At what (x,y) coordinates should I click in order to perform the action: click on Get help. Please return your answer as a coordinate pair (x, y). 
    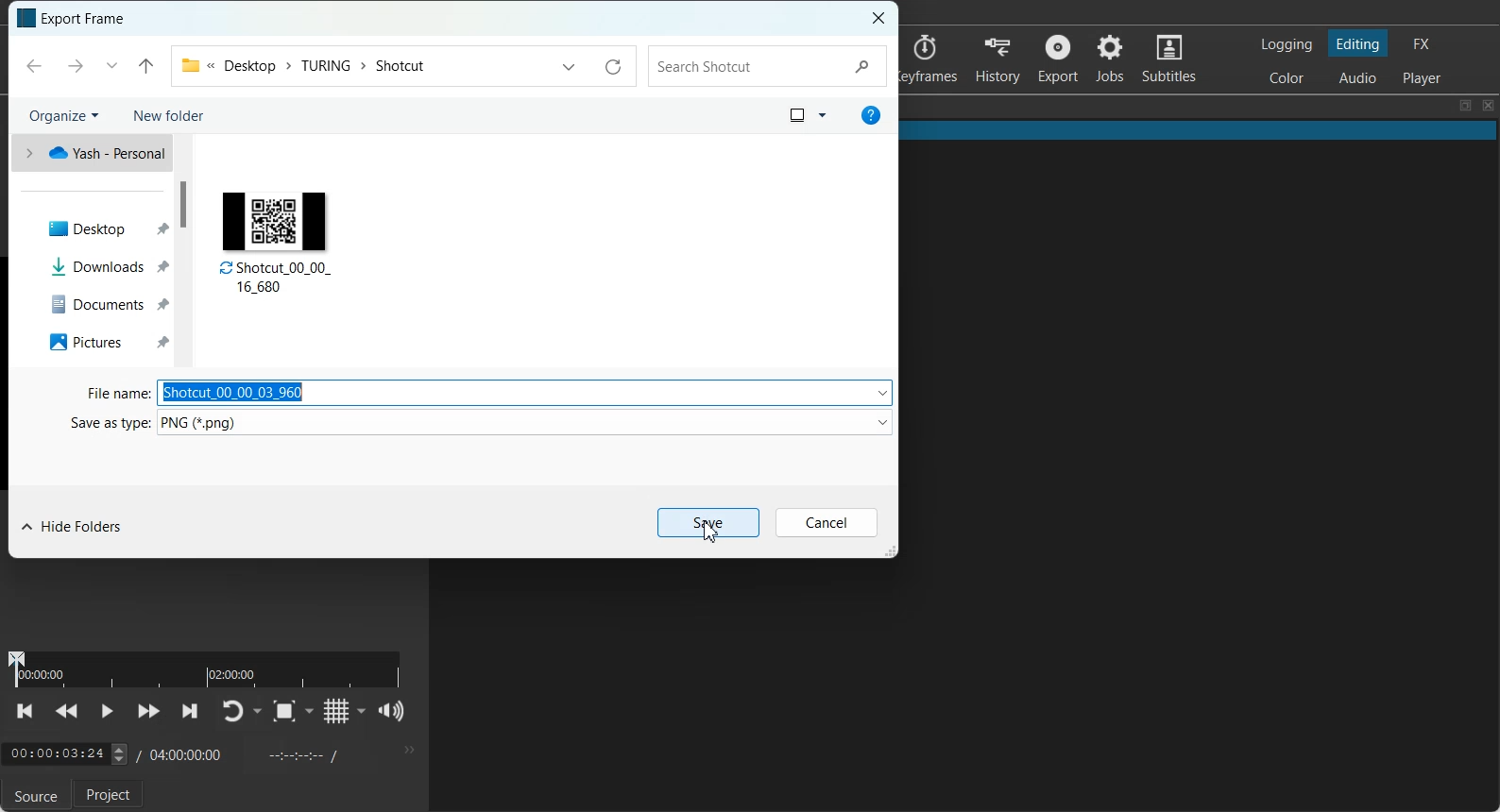
    Looking at the image, I should click on (873, 116).